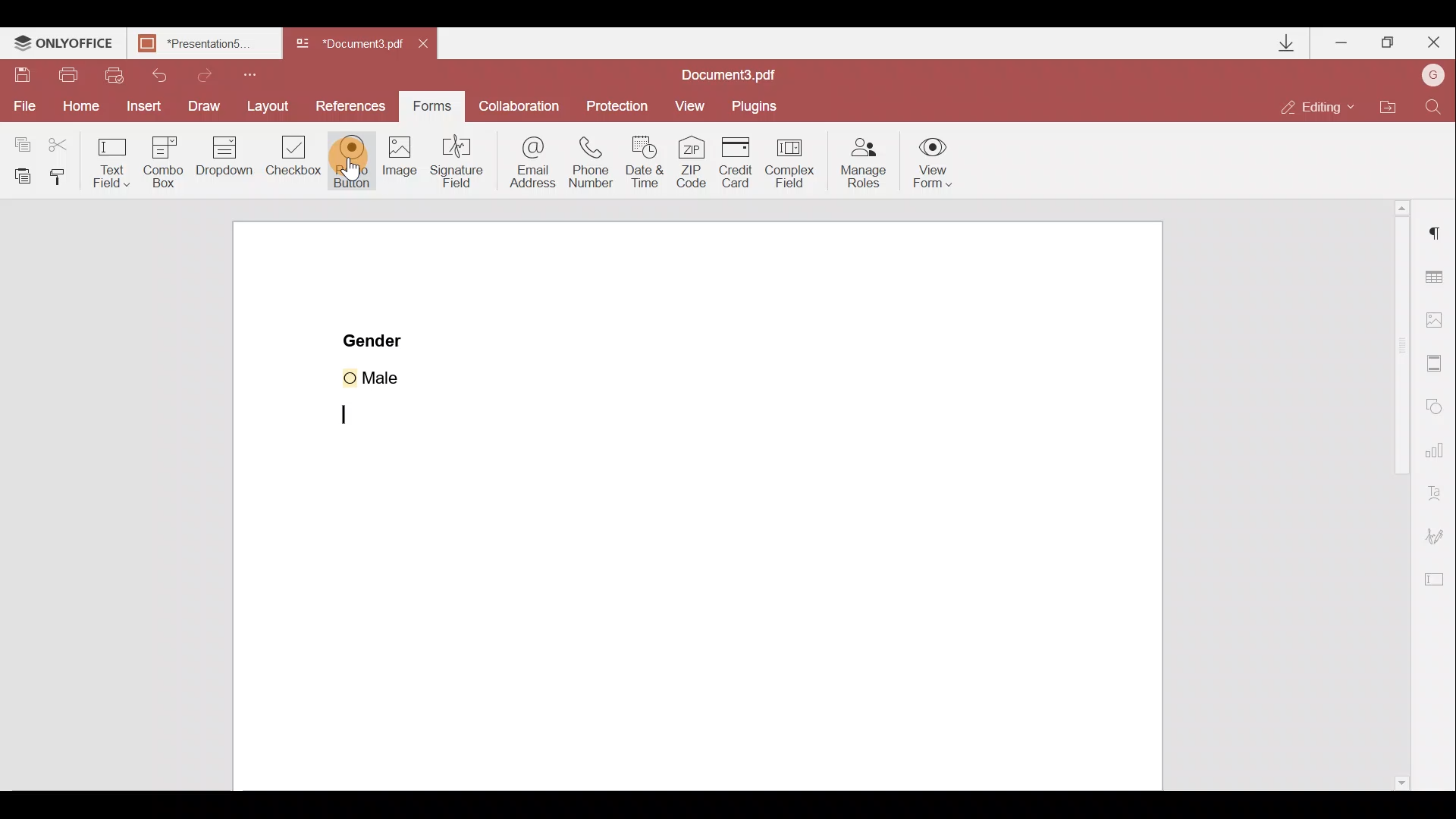 The image size is (1456, 819). What do you see at coordinates (204, 105) in the screenshot?
I see `Draw` at bounding box center [204, 105].